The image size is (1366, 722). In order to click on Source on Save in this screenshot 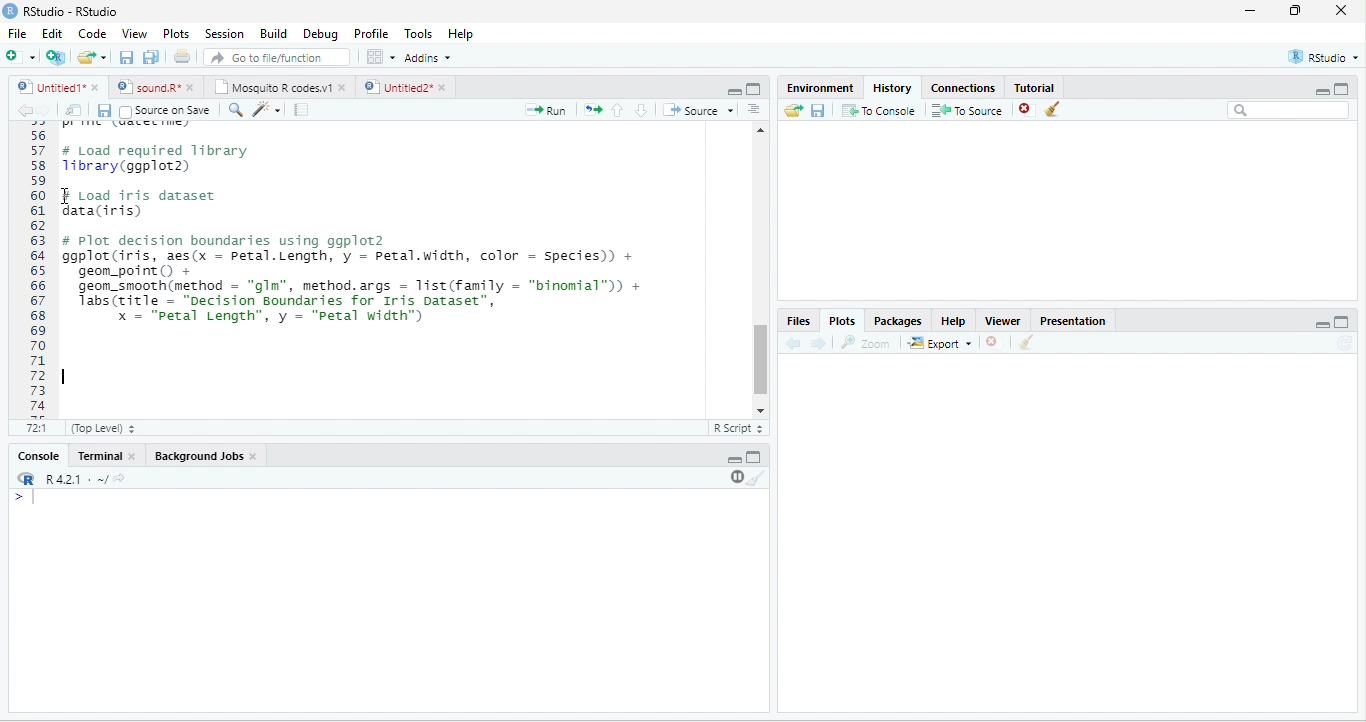, I will do `click(164, 111)`.